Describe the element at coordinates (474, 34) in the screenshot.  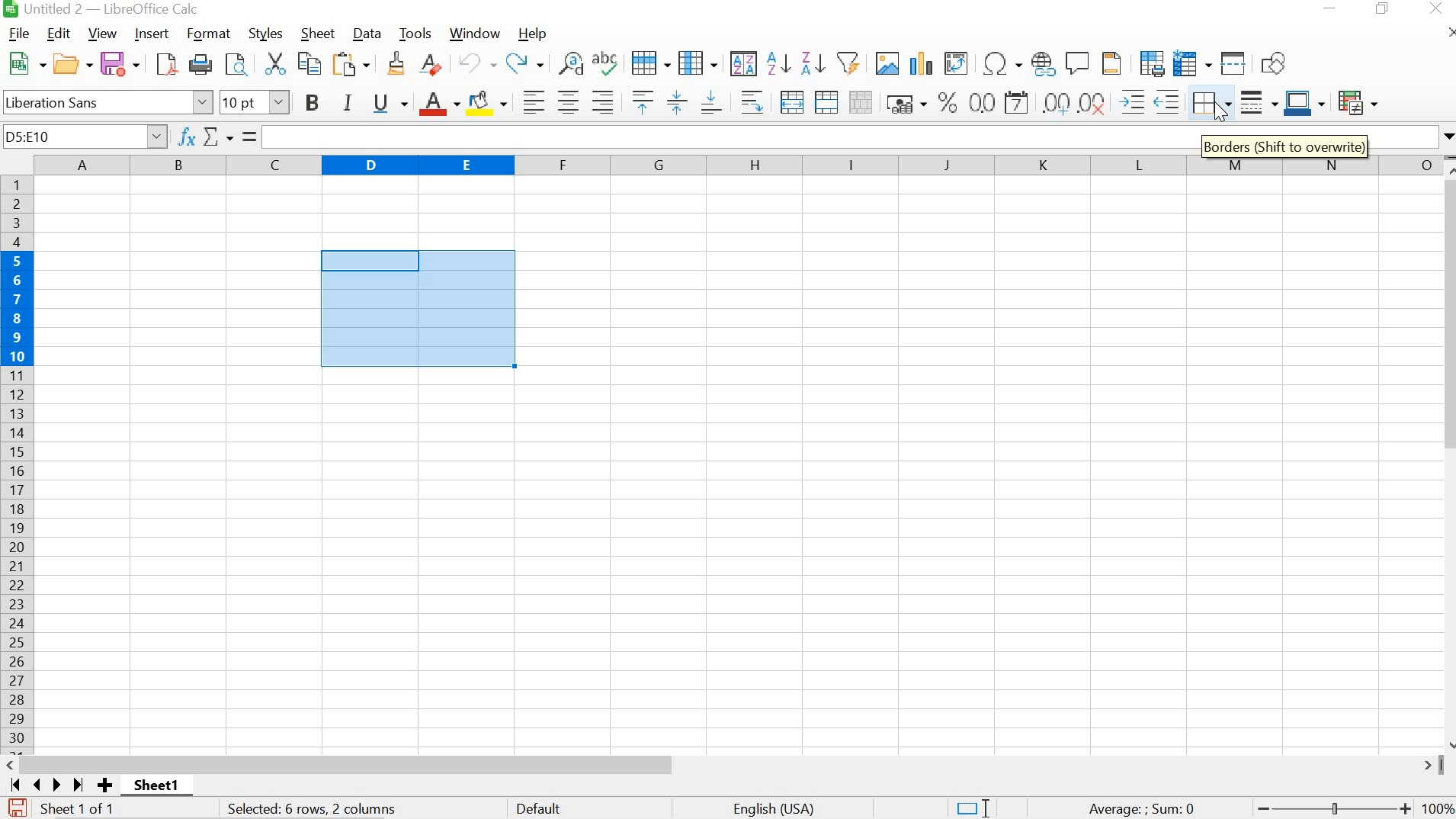
I see `WINDOW` at that location.